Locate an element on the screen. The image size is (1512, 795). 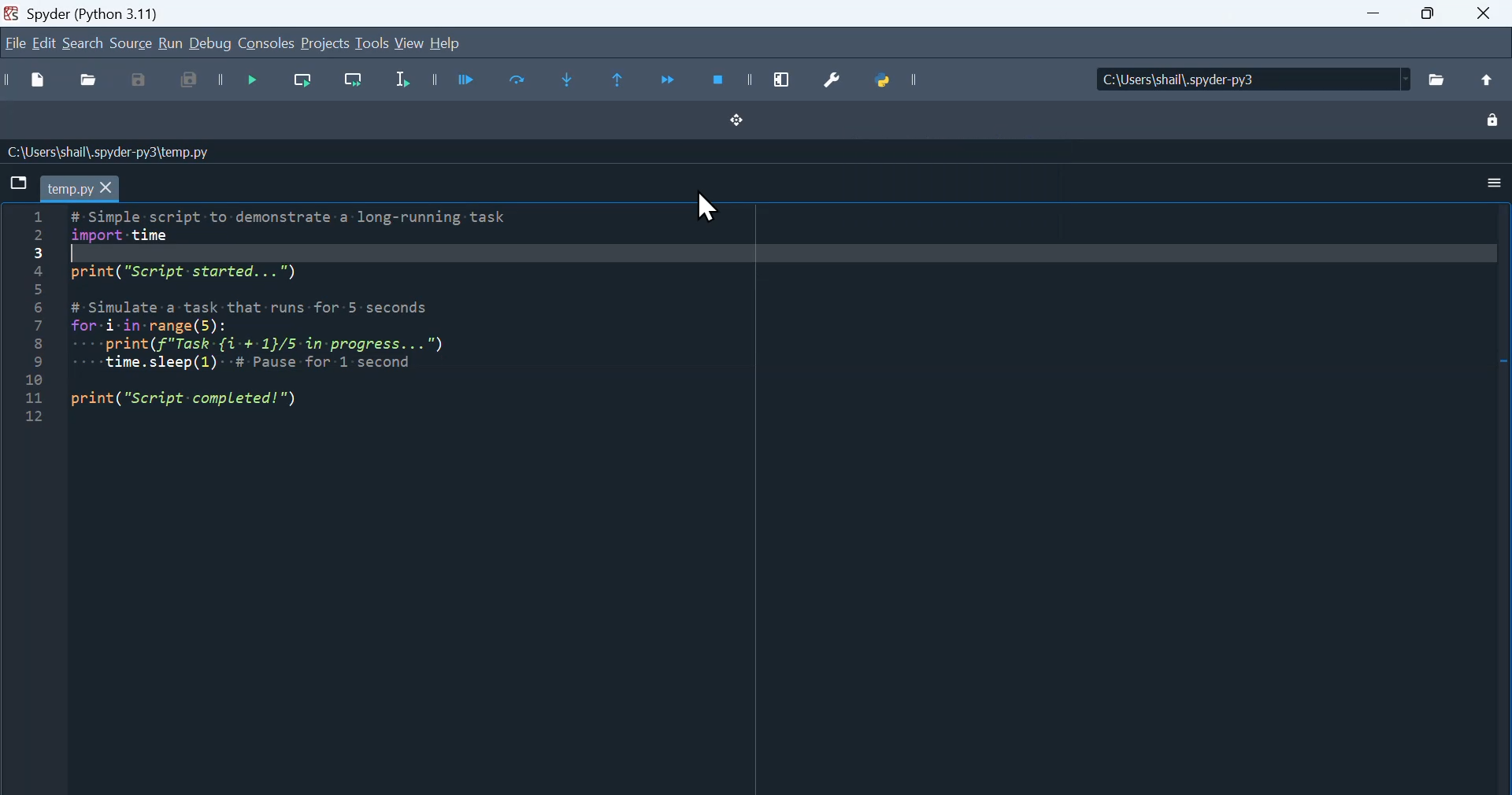
New file is located at coordinates (29, 83).